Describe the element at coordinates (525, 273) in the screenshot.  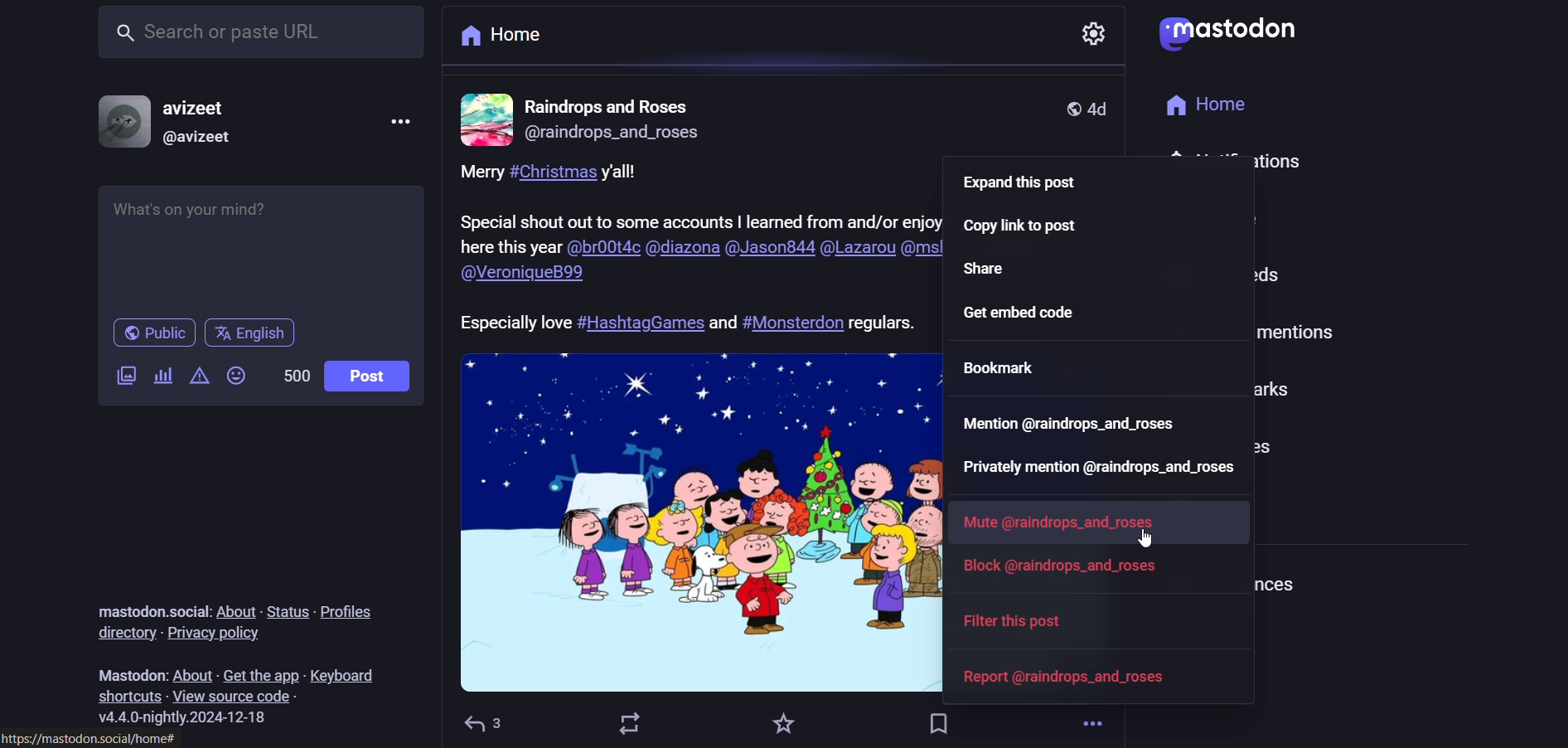
I see `@veroniqueB99` at that location.